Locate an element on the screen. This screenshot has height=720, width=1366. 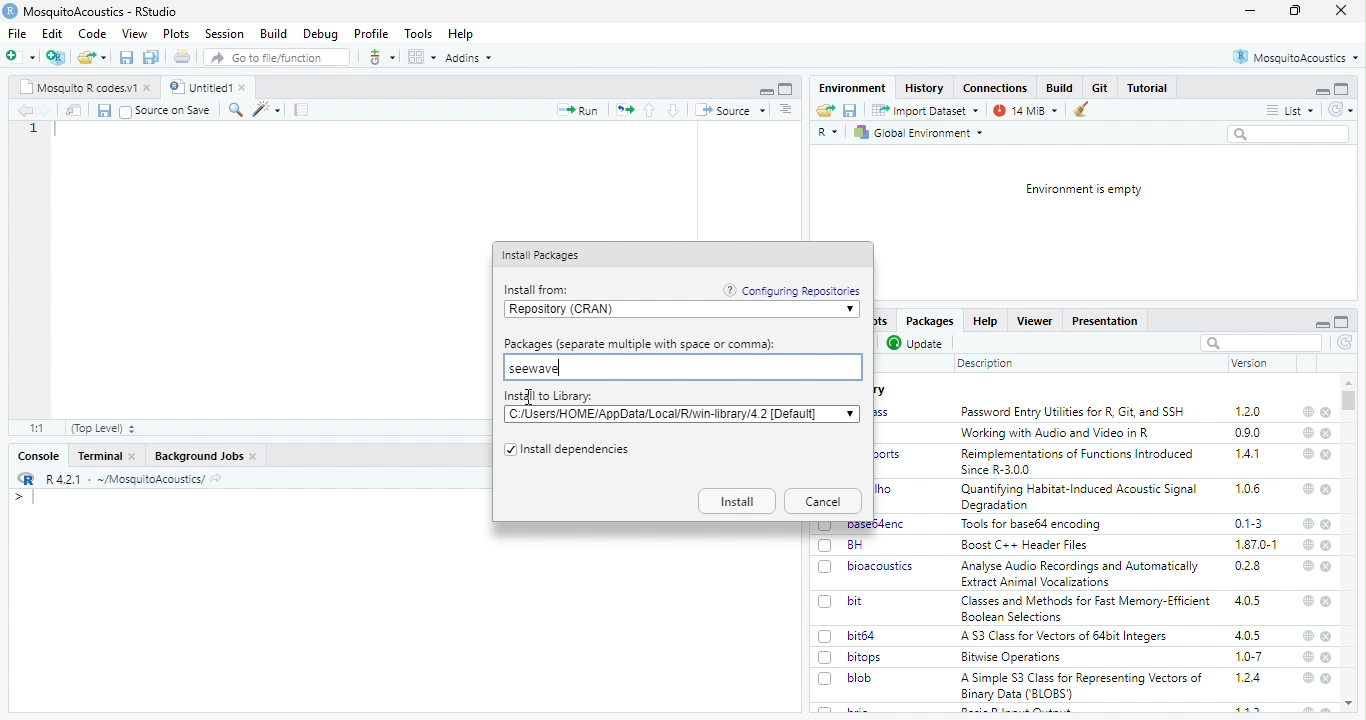
Git is located at coordinates (1102, 87).